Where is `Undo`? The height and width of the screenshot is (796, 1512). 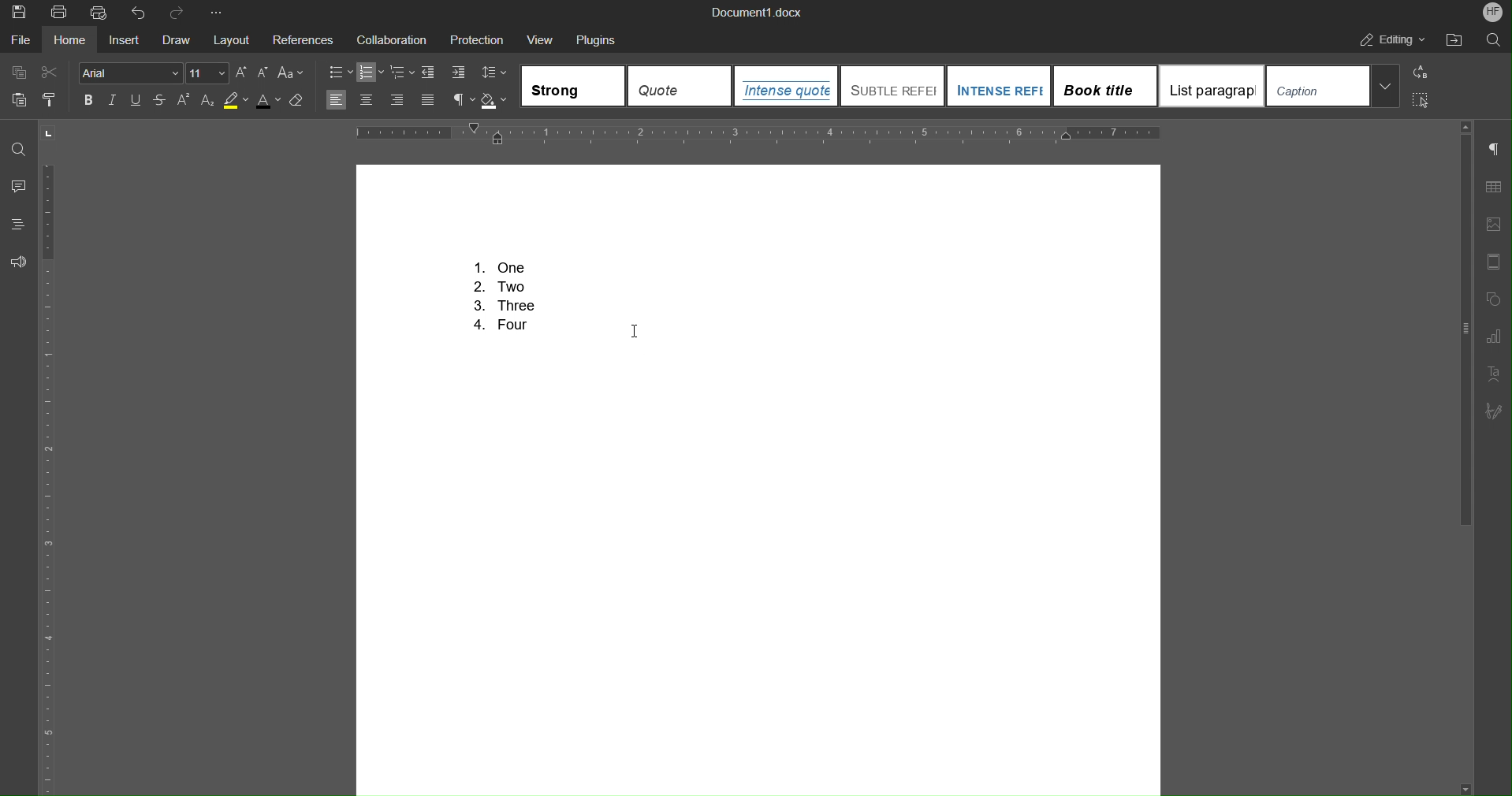
Undo is located at coordinates (139, 11).